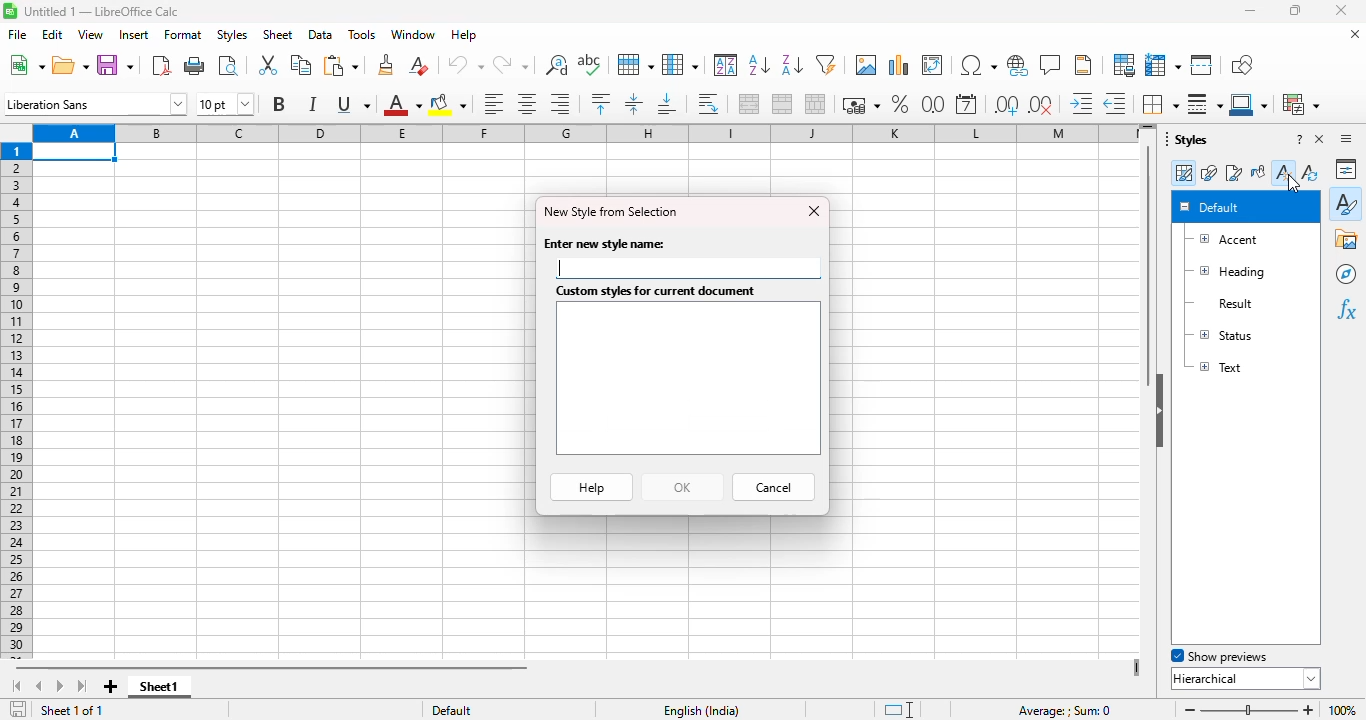  What do you see at coordinates (184, 35) in the screenshot?
I see `format` at bounding box center [184, 35].